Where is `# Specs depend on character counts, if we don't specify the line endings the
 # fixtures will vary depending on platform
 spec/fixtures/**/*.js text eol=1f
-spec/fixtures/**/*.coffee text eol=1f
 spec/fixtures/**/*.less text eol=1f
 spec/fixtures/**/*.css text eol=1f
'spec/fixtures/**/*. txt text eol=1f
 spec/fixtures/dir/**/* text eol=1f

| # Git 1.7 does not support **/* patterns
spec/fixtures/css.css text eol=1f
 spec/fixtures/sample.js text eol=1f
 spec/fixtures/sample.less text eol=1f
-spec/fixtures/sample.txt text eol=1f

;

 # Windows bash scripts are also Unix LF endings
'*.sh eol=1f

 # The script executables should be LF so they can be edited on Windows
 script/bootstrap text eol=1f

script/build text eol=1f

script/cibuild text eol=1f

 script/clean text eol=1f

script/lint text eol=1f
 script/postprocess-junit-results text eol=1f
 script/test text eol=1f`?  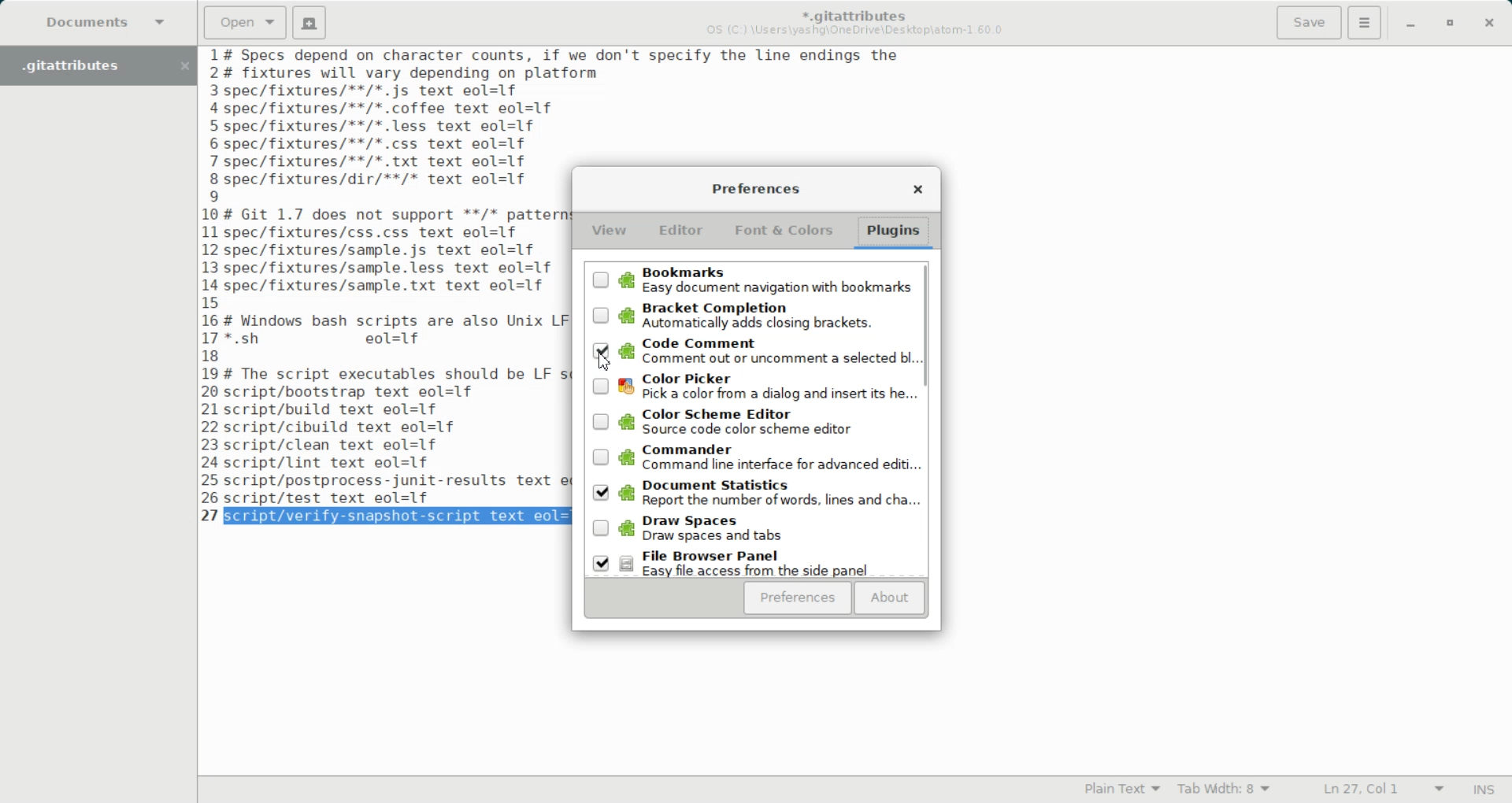
# Specs depend on character counts, if we don't specify the line endings the
 # fixtures will vary depending on platform
 spec/fixtures/**/*.js text eol=1f
-spec/fixtures/**/*.coffee text eol=1f
 spec/fixtures/**/*.less text eol=1f
 spec/fixtures/**/*.css text eol=1f
'spec/fixtures/**/*. txt text eol=1f
 spec/fixtures/dir/**/* text eol=1f

| # Git 1.7 does not support **/* patterns
spec/fixtures/css.css text eol=1f
 spec/fixtures/sample.js text eol=1f
 spec/fixtures/sample.less text eol=1f
-spec/fixtures/sample.txt text eol=1f

;

 # Windows bash scripts are also Unix LF endings
'*.sh eol=1f

 # The script executables should be LF so they can be edited on Windows
 script/bootstrap text eol=1f

script/build text eol=1f

script/cibuild text eol=1f

 script/clean text eol=1f

script/lint text eol=1f
 script/postprocess-junit-results text eol=1f
 script/test text eol=1f is located at coordinates (395, 276).